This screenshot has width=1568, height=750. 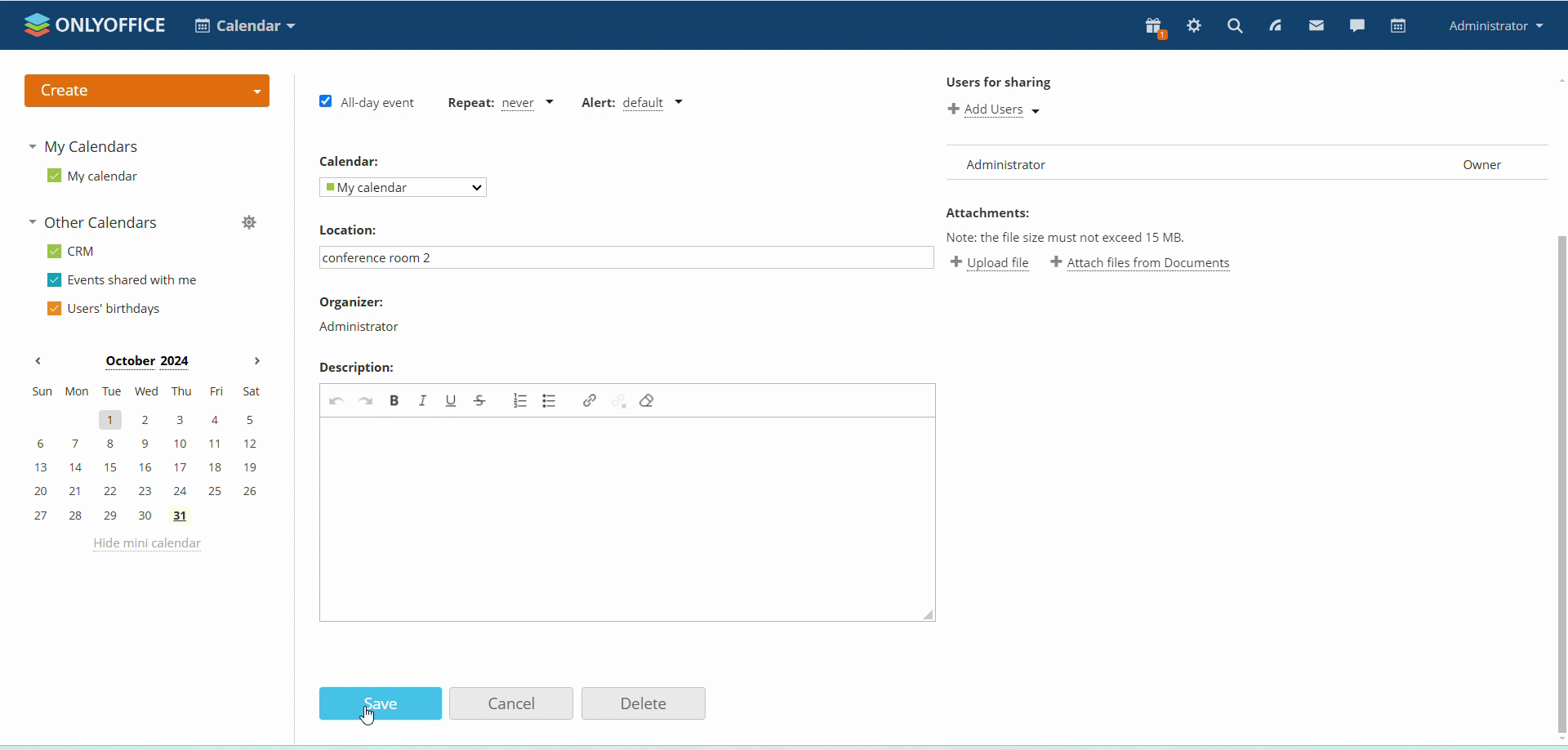 What do you see at coordinates (87, 145) in the screenshot?
I see `my calendars` at bounding box center [87, 145].